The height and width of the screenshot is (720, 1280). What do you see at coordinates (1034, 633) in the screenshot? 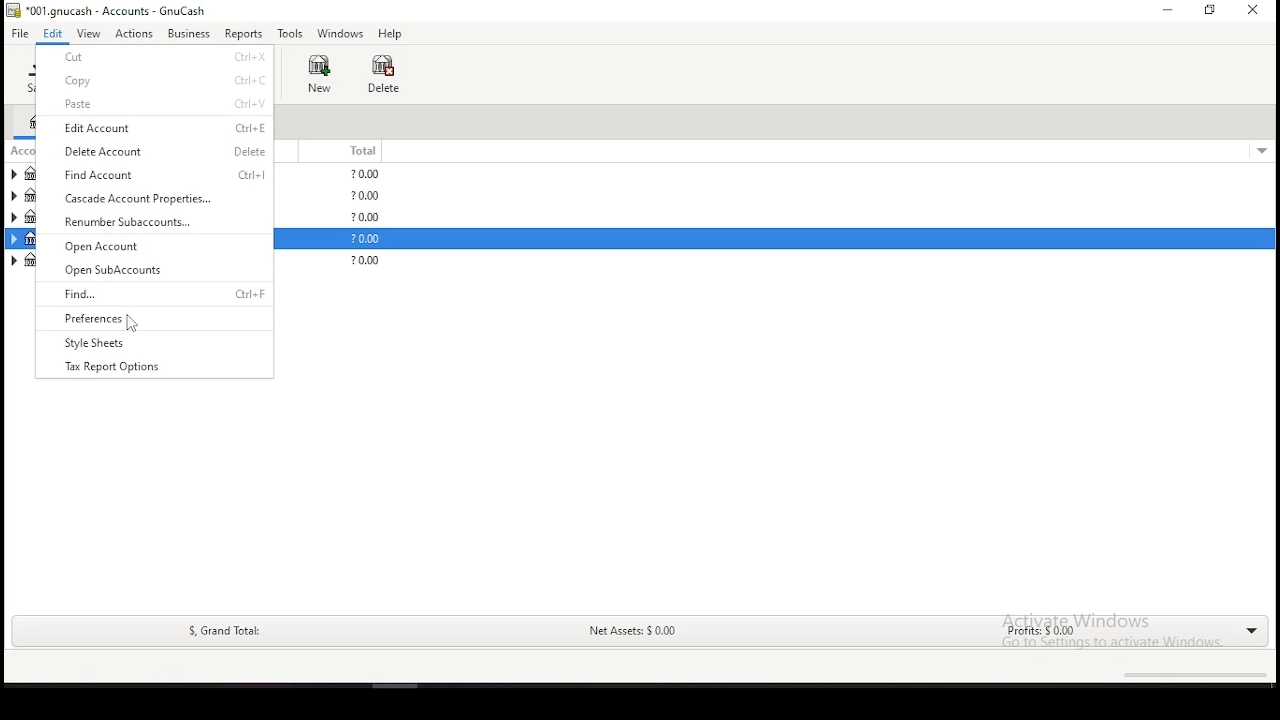
I see `profits: $ 0.00` at bounding box center [1034, 633].